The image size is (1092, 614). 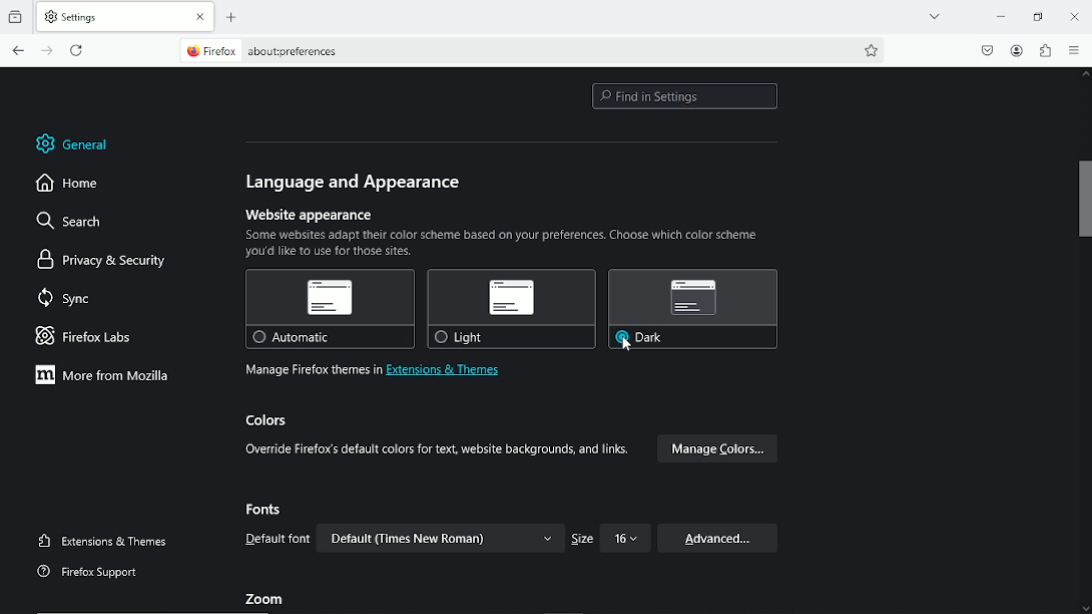 I want to click on Firefox support, so click(x=93, y=573).